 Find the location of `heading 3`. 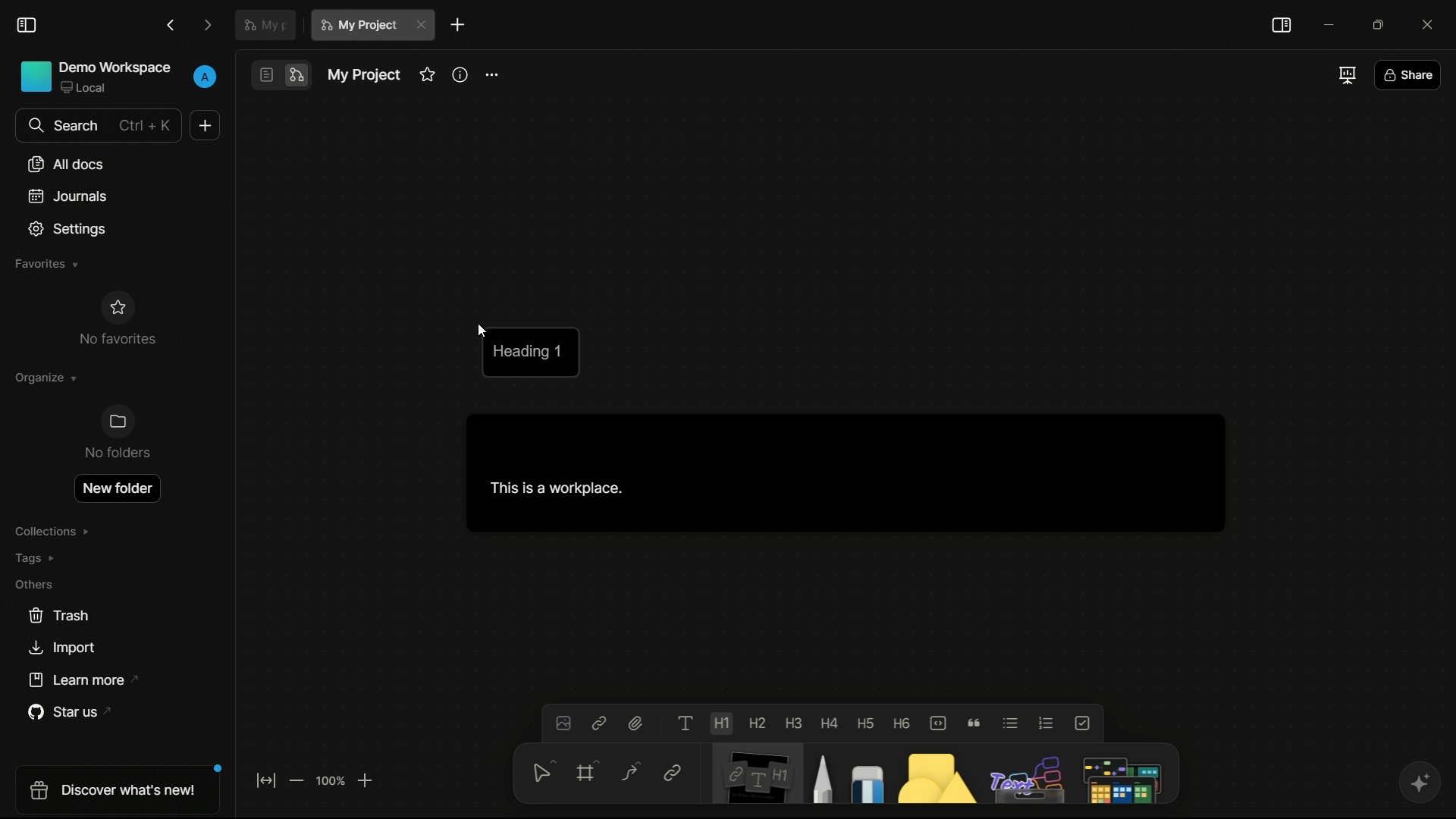

heading 3 is located at coordinates (795, 718).